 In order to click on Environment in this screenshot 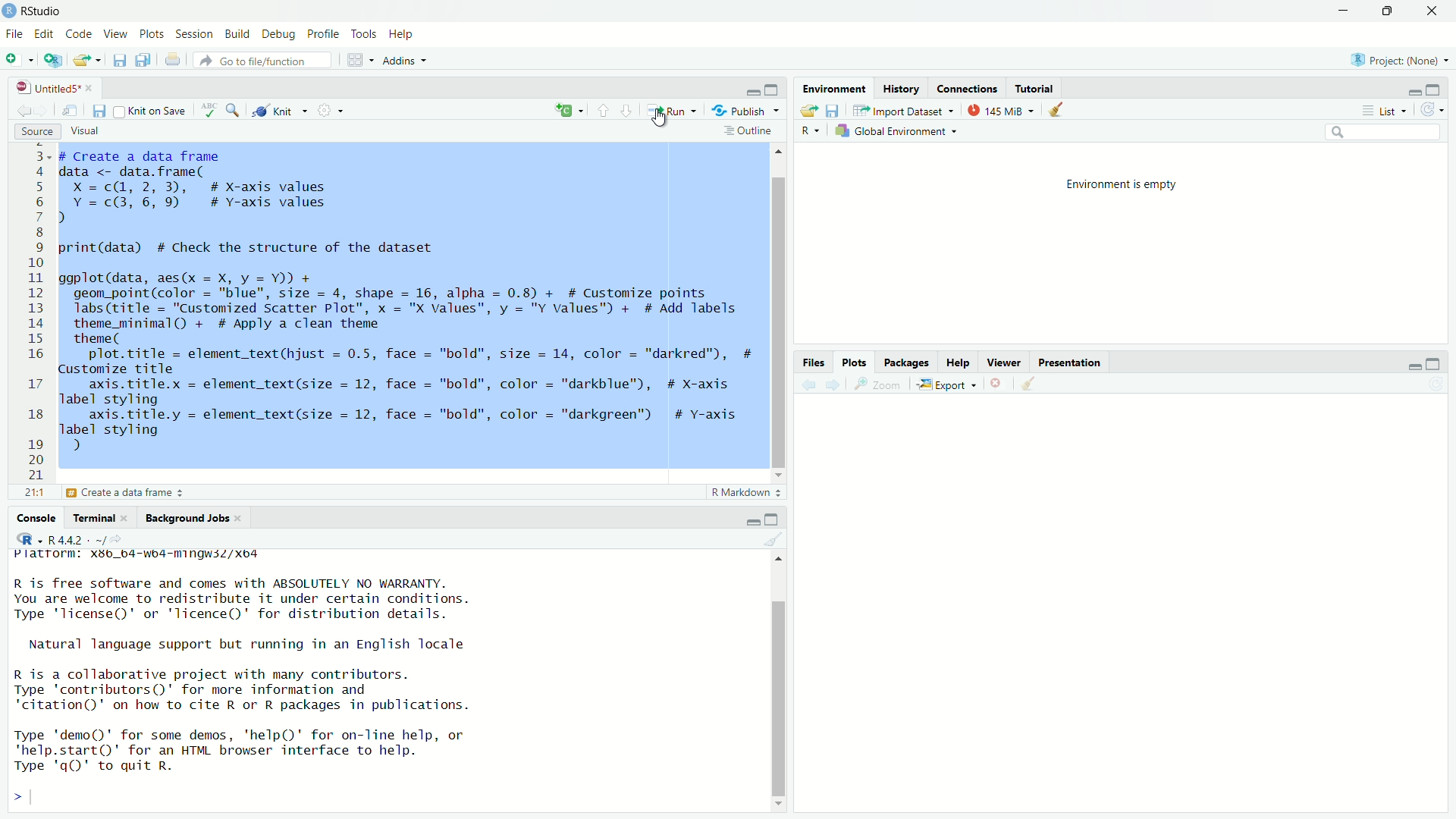, I will do `click(834, 88)`.